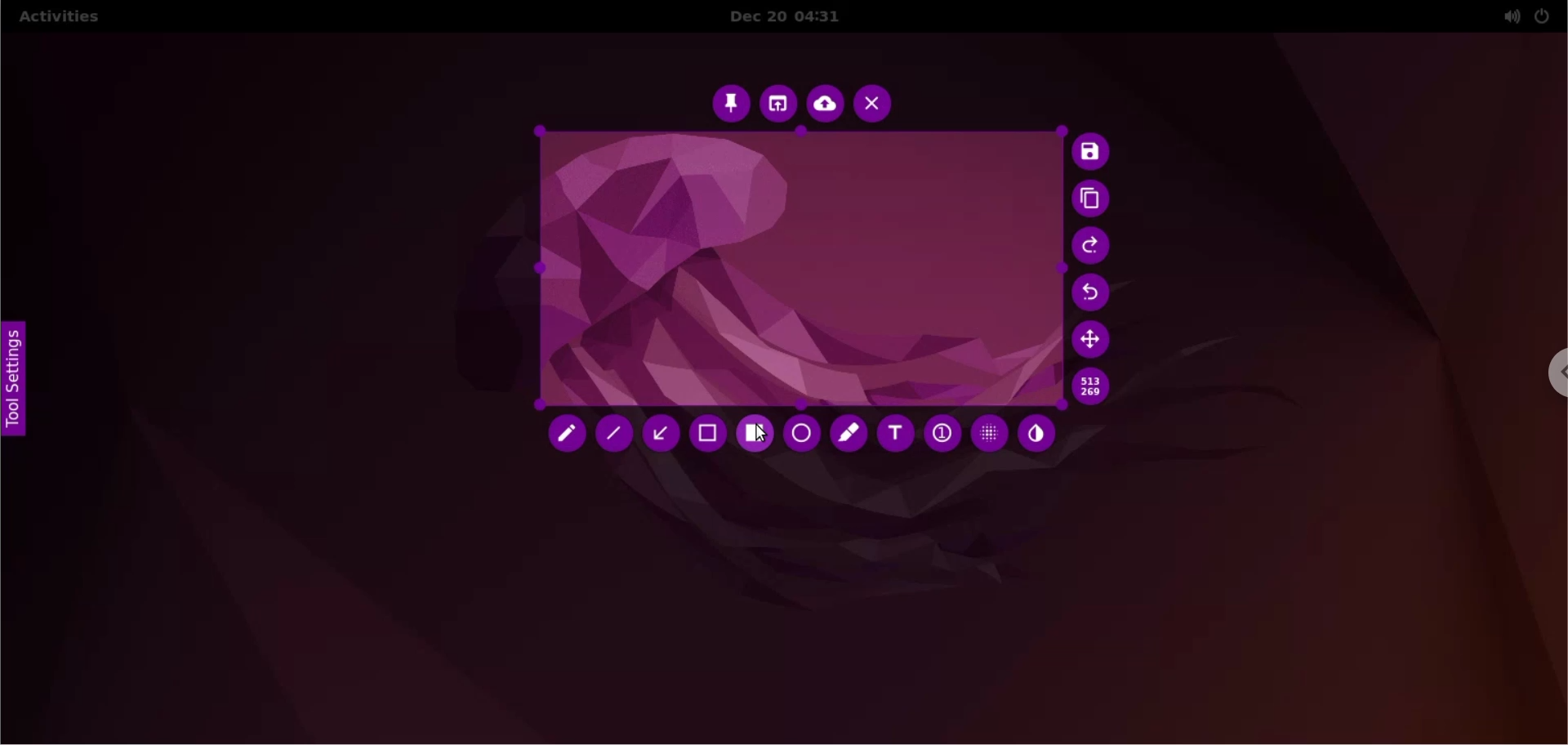 This screenshot has height=745, width=1568. I want to click on line tool, so click(614, 433).